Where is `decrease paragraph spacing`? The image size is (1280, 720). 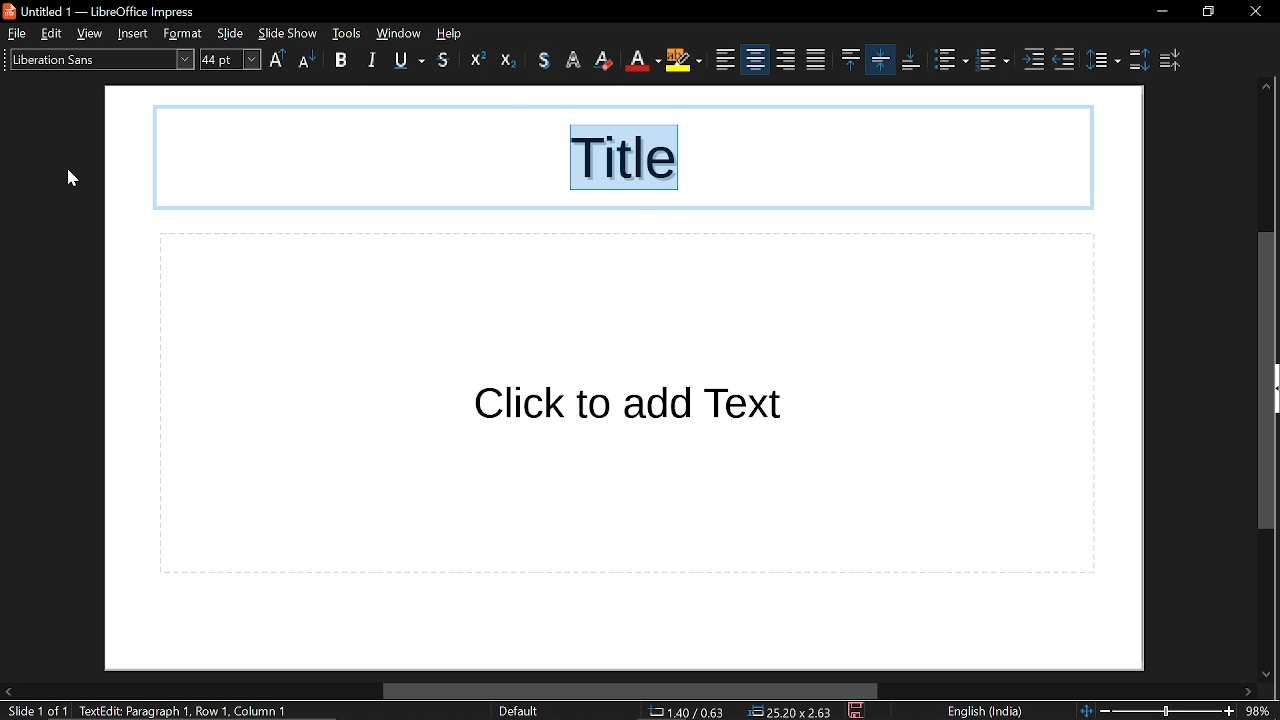 decrease paragraph spacing is located at coordinates (1173, 60).